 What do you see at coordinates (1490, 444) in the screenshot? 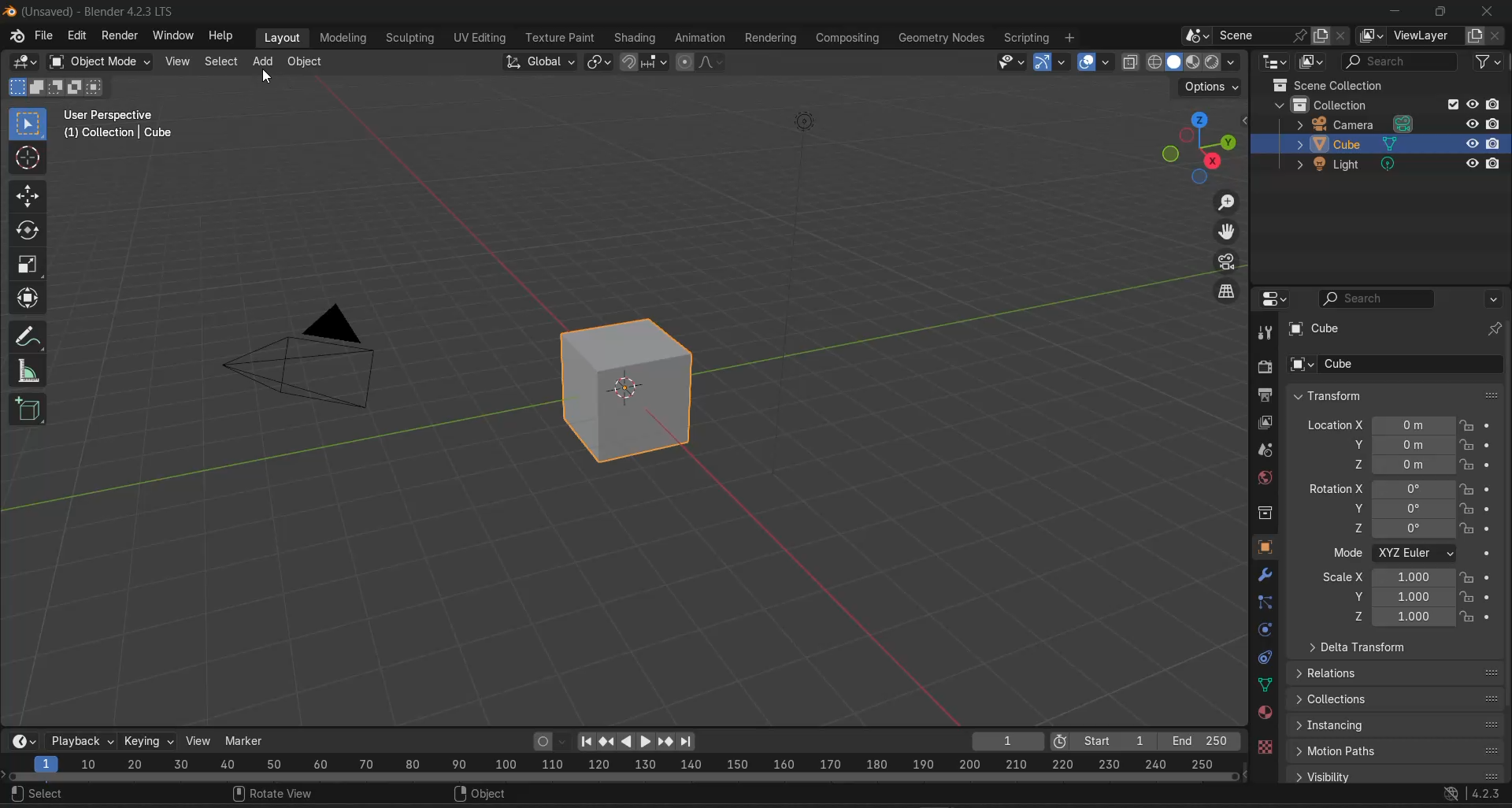
I see `animate property` at bounding box center [1490, 444].